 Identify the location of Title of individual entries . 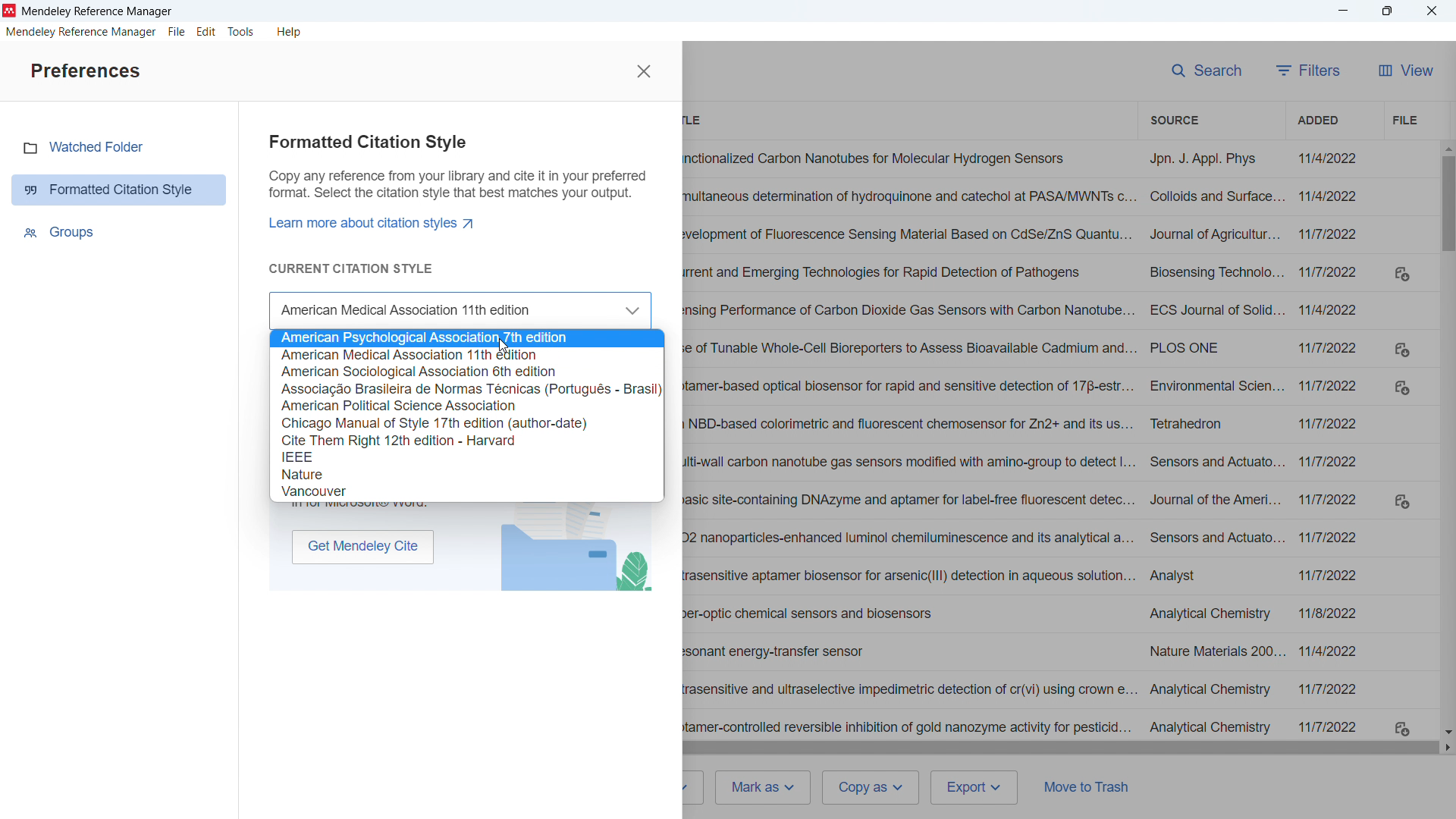
(908, 444).